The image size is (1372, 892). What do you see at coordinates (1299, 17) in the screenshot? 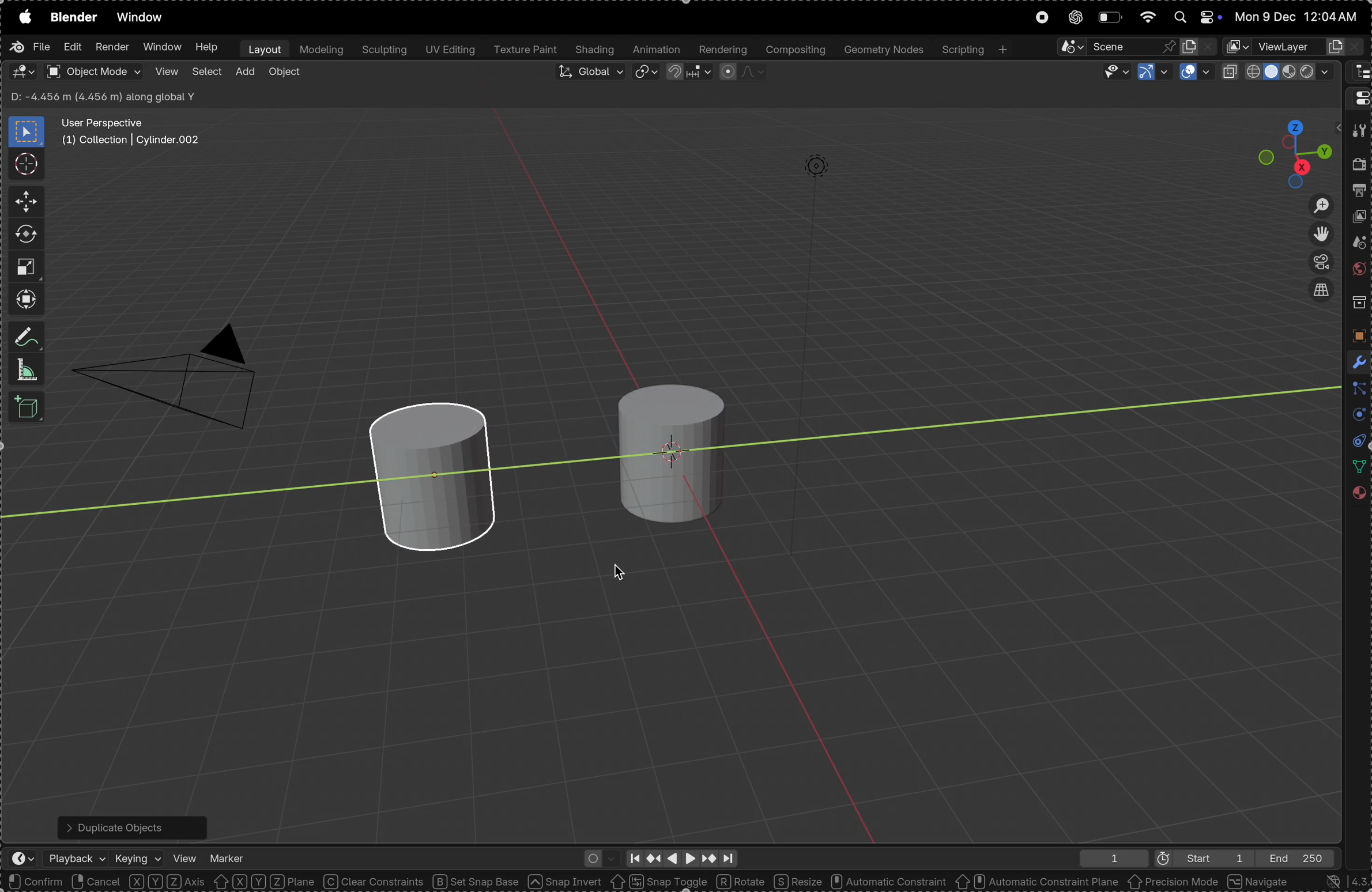
I see `date and time` at bounding box center [1299, 17].